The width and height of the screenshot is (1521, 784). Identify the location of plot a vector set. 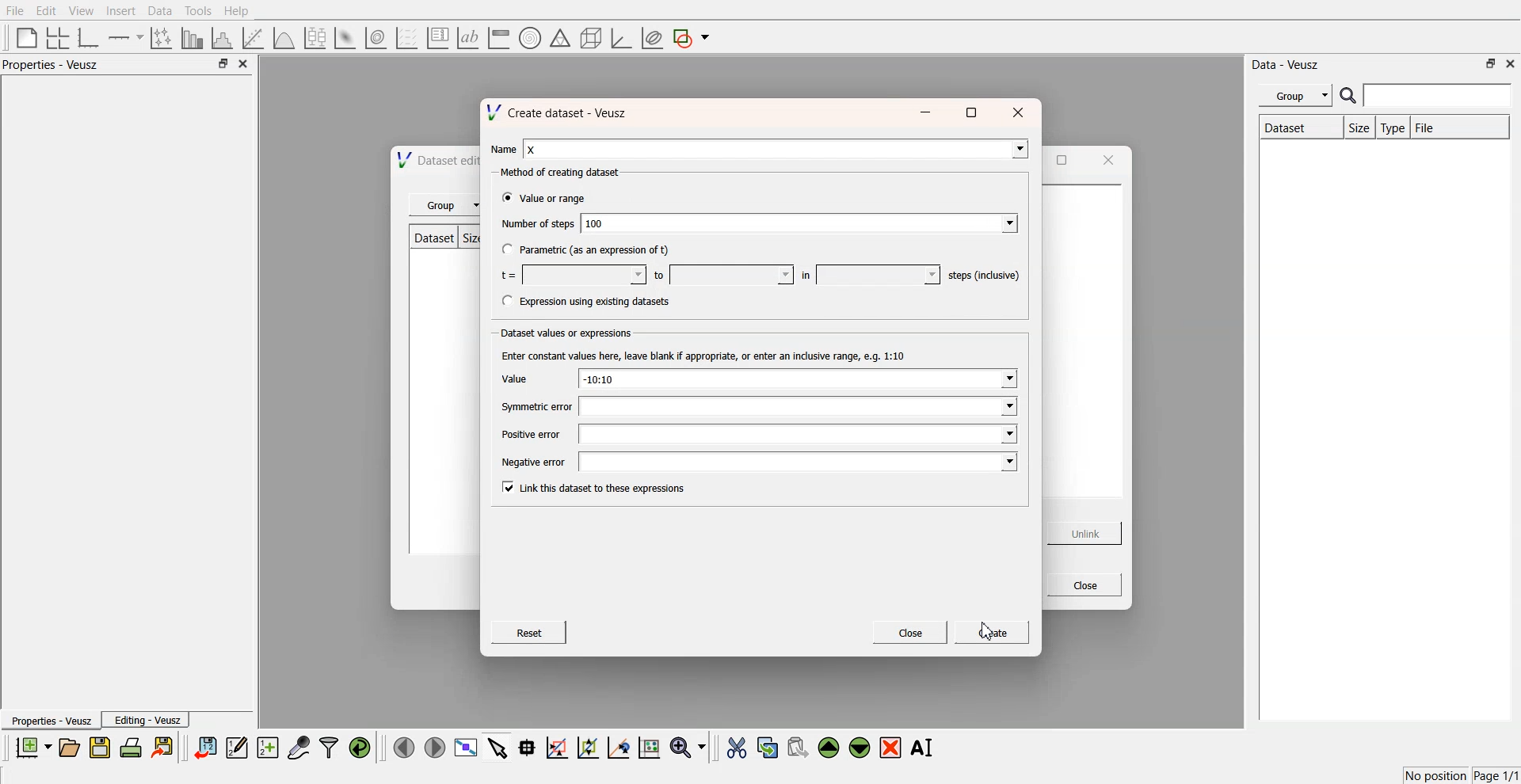
(408, 38).